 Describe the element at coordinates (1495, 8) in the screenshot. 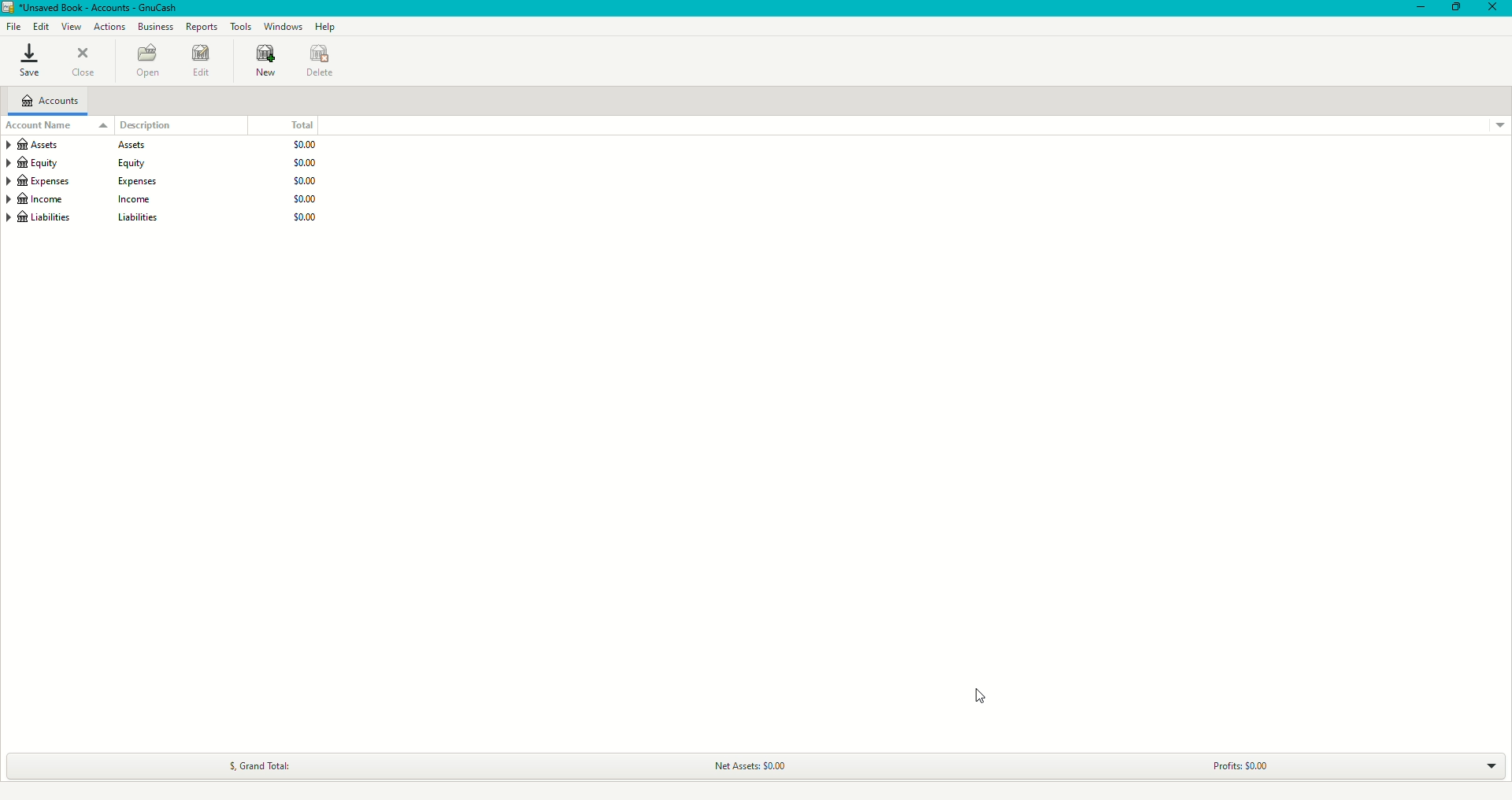

I see `Close` at that location.